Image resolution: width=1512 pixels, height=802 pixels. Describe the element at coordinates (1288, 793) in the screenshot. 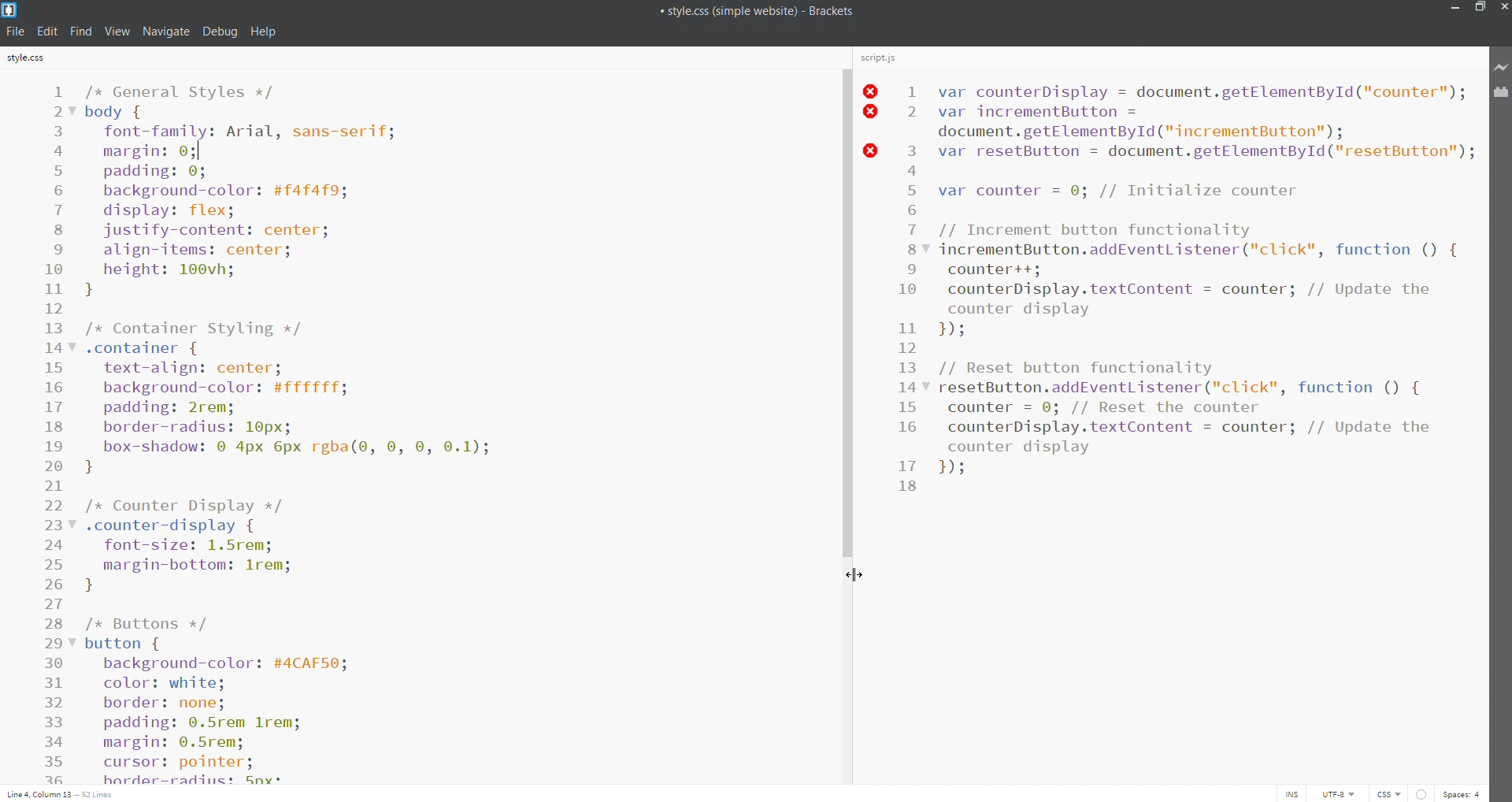

I see `toggle cursor` at that location.